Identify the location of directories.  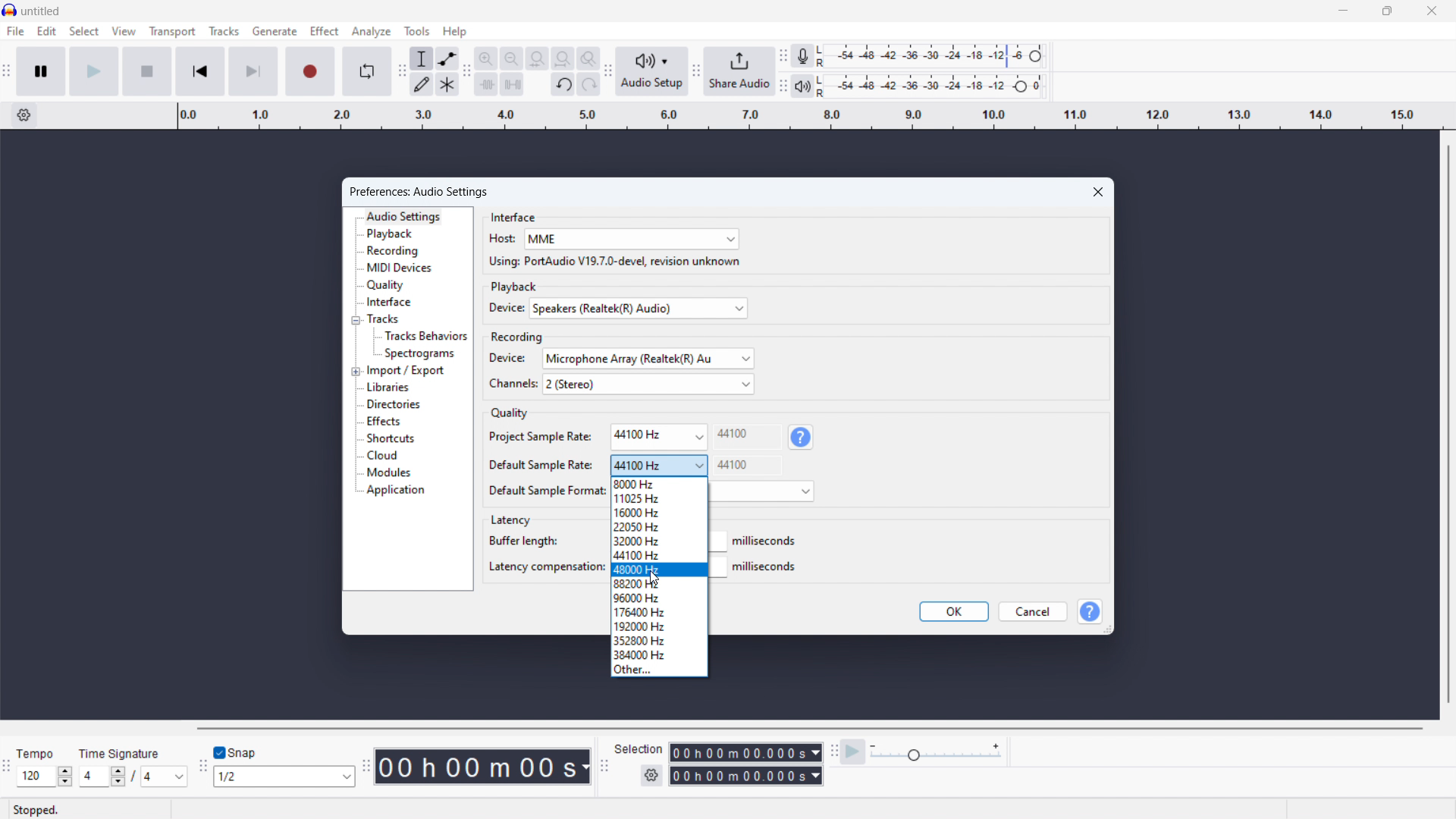
(394, 404).